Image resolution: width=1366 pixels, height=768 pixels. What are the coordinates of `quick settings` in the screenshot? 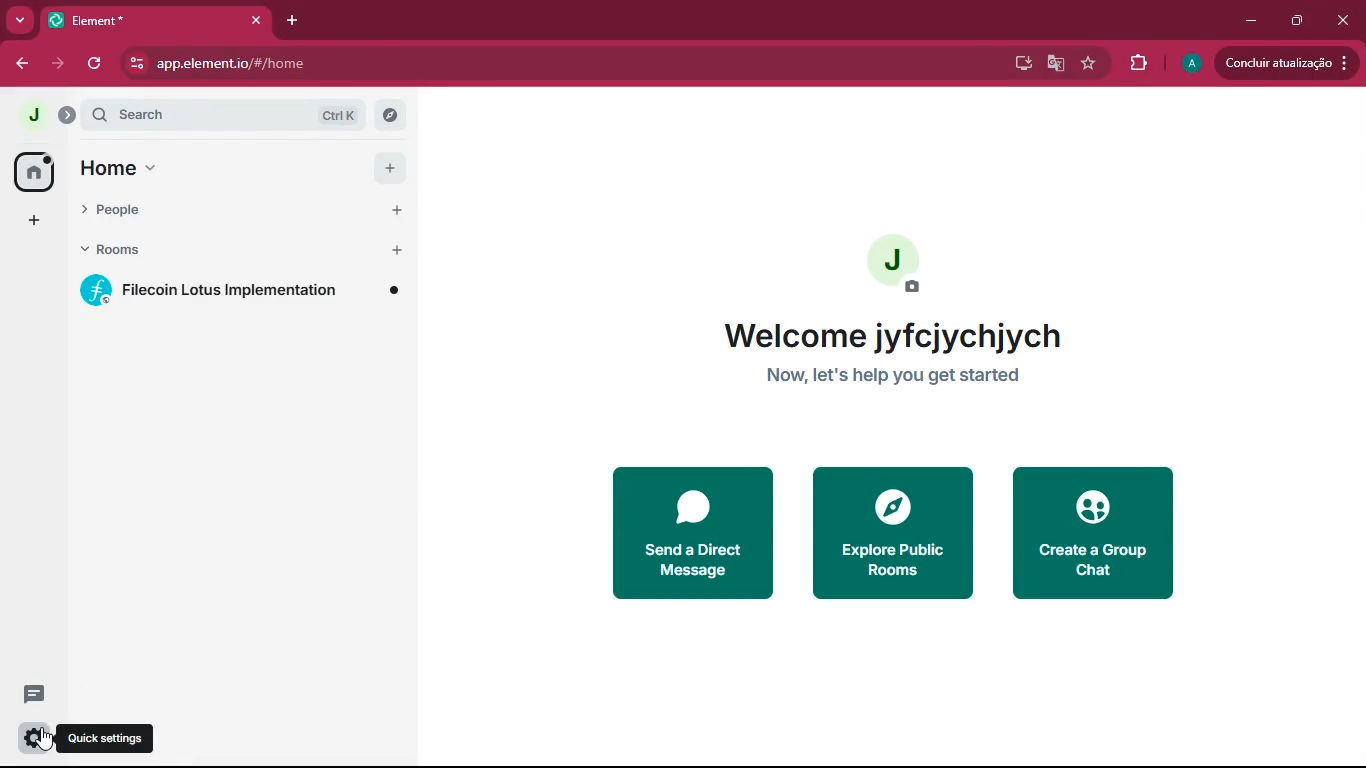 It's located at (32, 738).